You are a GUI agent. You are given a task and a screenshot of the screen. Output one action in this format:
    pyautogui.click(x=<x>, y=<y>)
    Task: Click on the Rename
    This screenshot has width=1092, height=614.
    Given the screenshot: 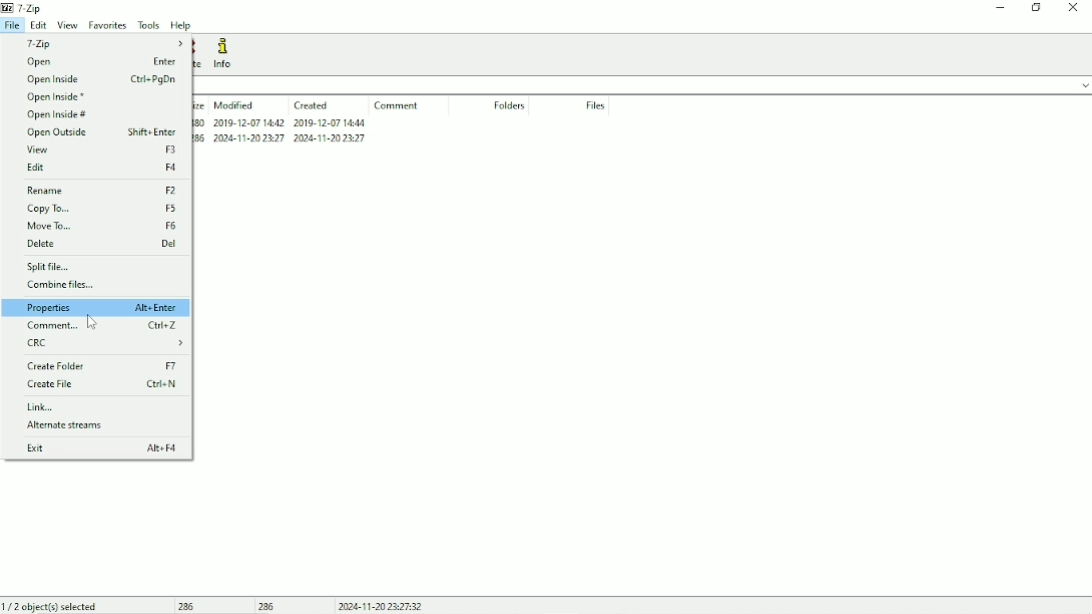 What is the action you would take?
    pyautogui.click(x=103, y=191)
    